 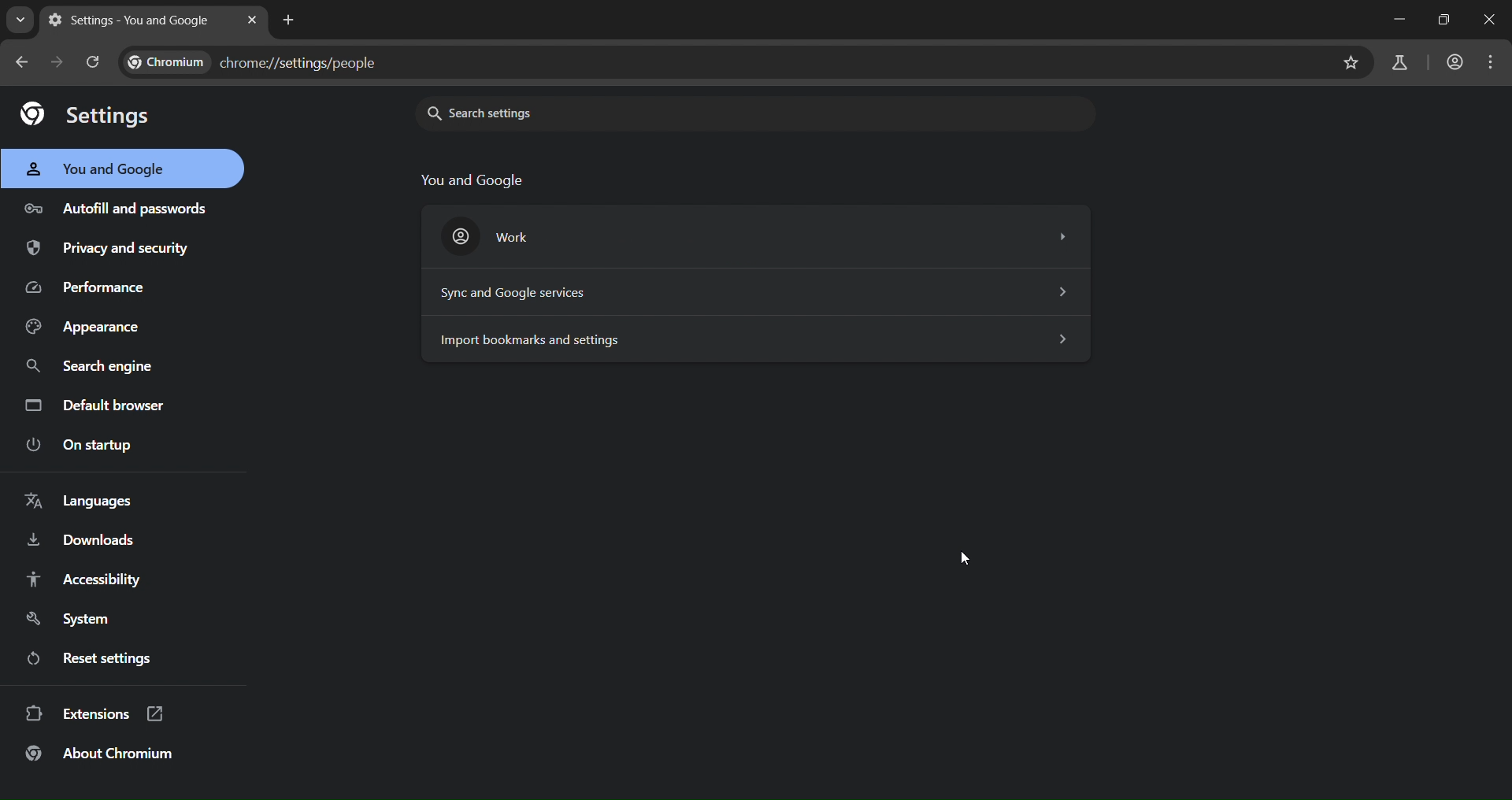 I want to click on cursor, so click(x=976, y=554).